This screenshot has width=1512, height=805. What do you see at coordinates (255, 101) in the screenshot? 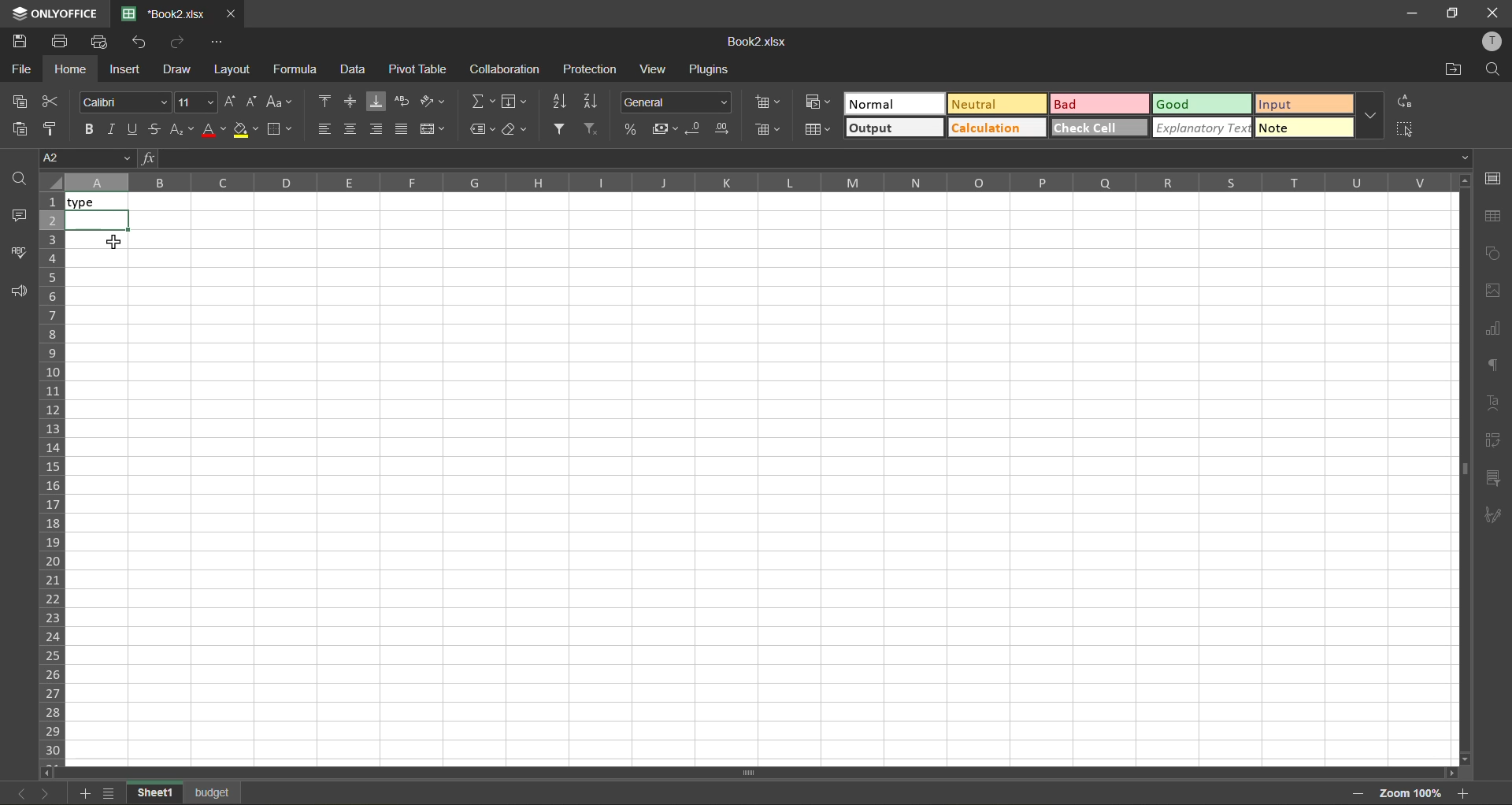
I see `decrement size` at bounding box center [255, 101].